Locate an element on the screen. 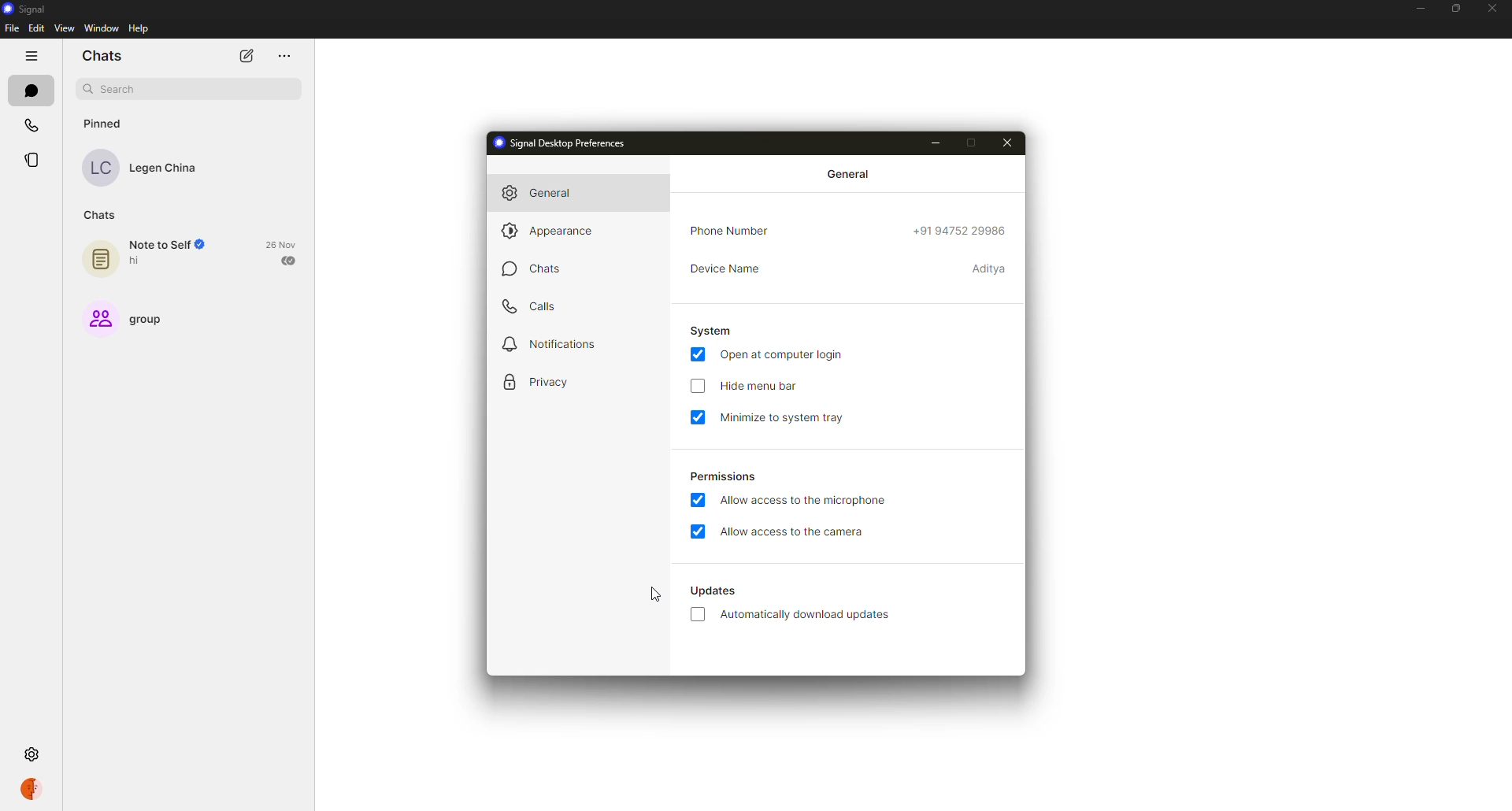 This screenshot has width=1512, height=811. maximize is located at coordinates (969, 143).